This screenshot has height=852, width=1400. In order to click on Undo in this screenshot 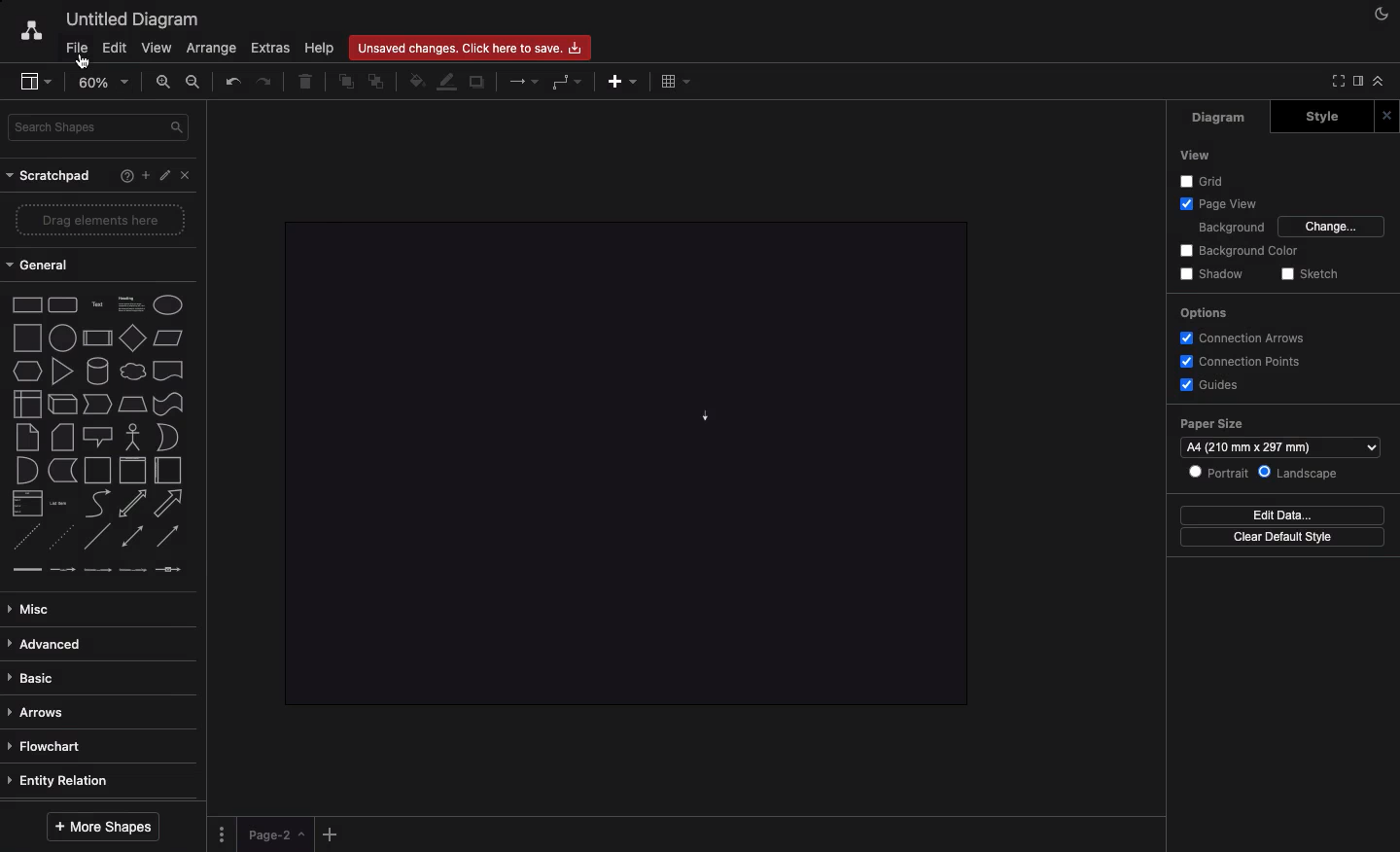, I will do `click(232, 82)`.